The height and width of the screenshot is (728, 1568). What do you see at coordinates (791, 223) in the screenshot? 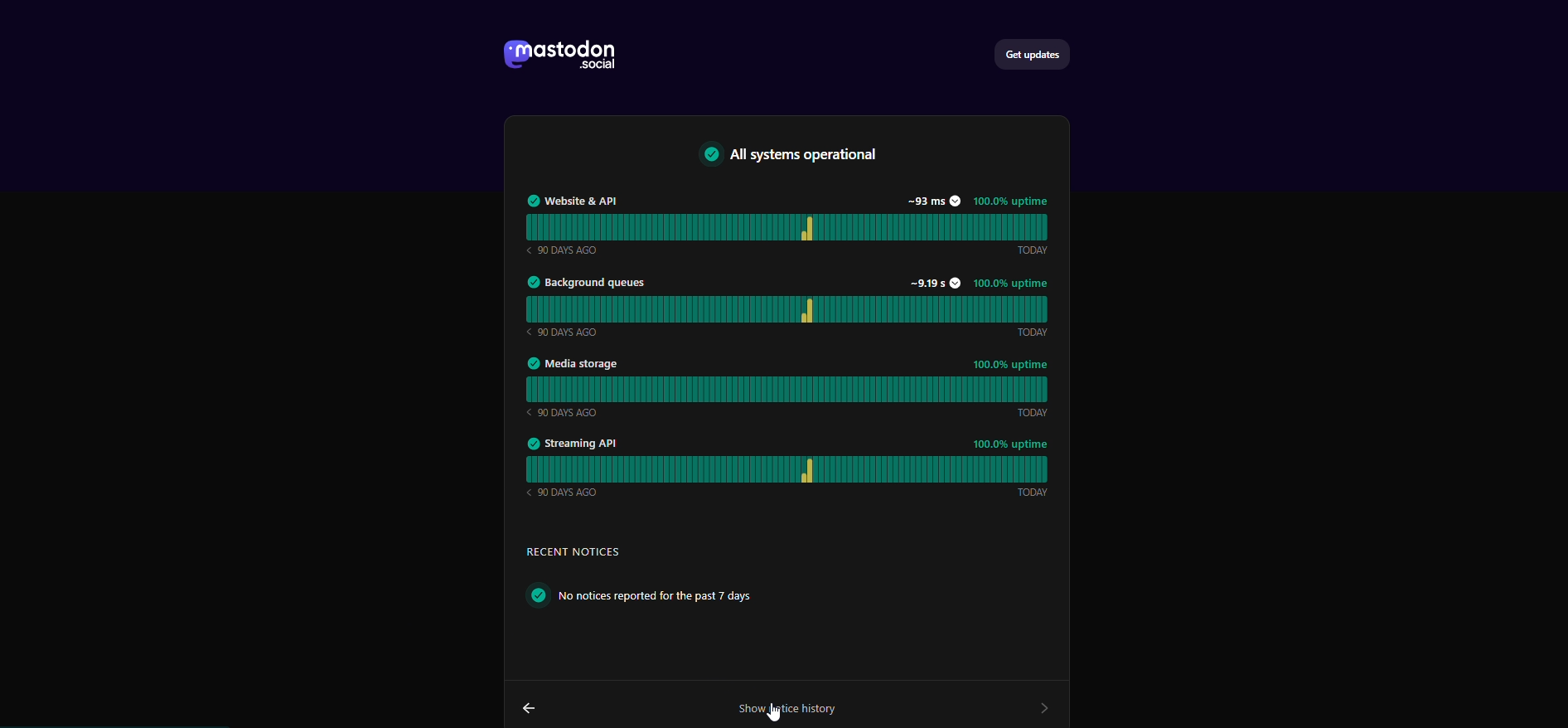
I see `website and api status` at bounding box center [791, 223].